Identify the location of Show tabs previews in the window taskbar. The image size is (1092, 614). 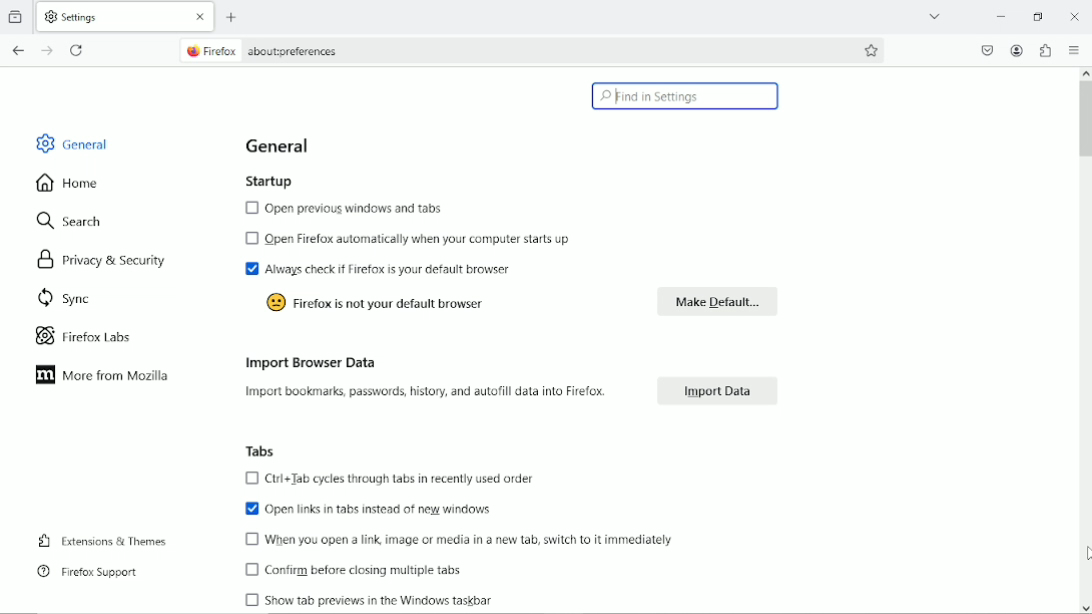
(365, 600).